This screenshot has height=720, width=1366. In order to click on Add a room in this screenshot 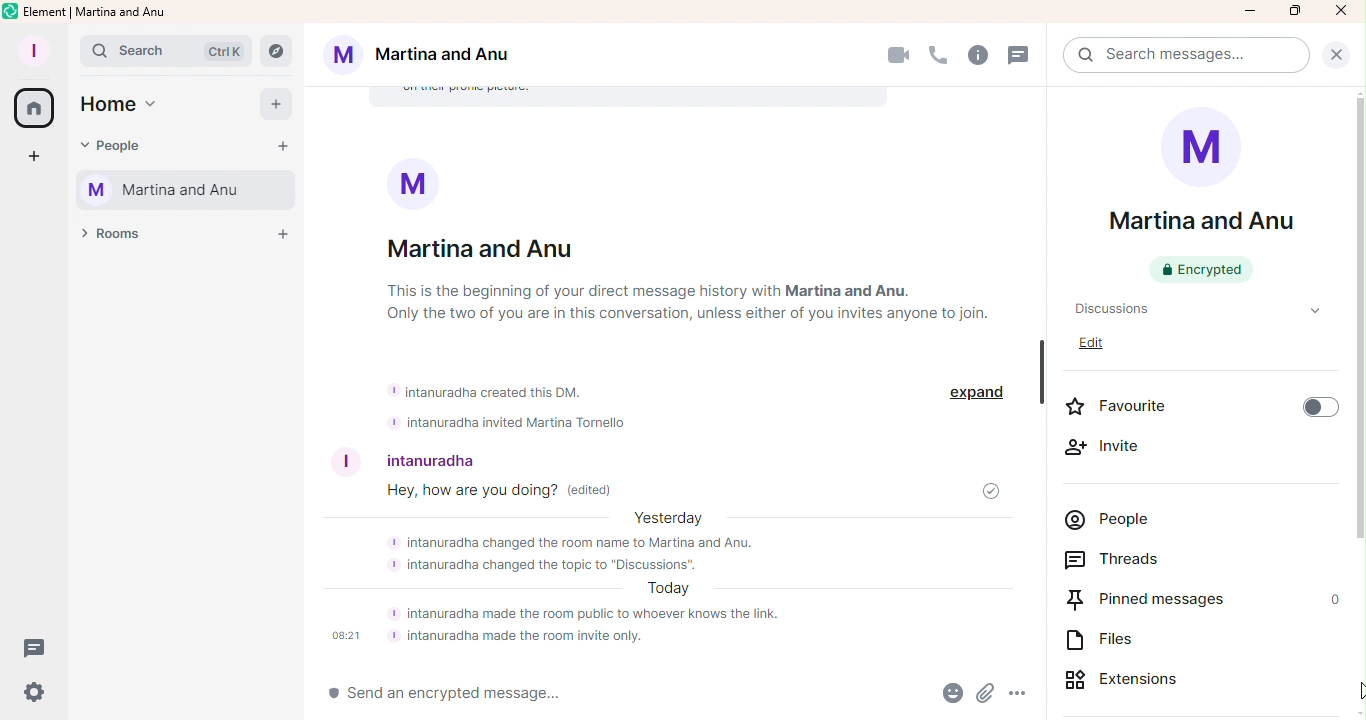, I will do `click(281, 232)`.